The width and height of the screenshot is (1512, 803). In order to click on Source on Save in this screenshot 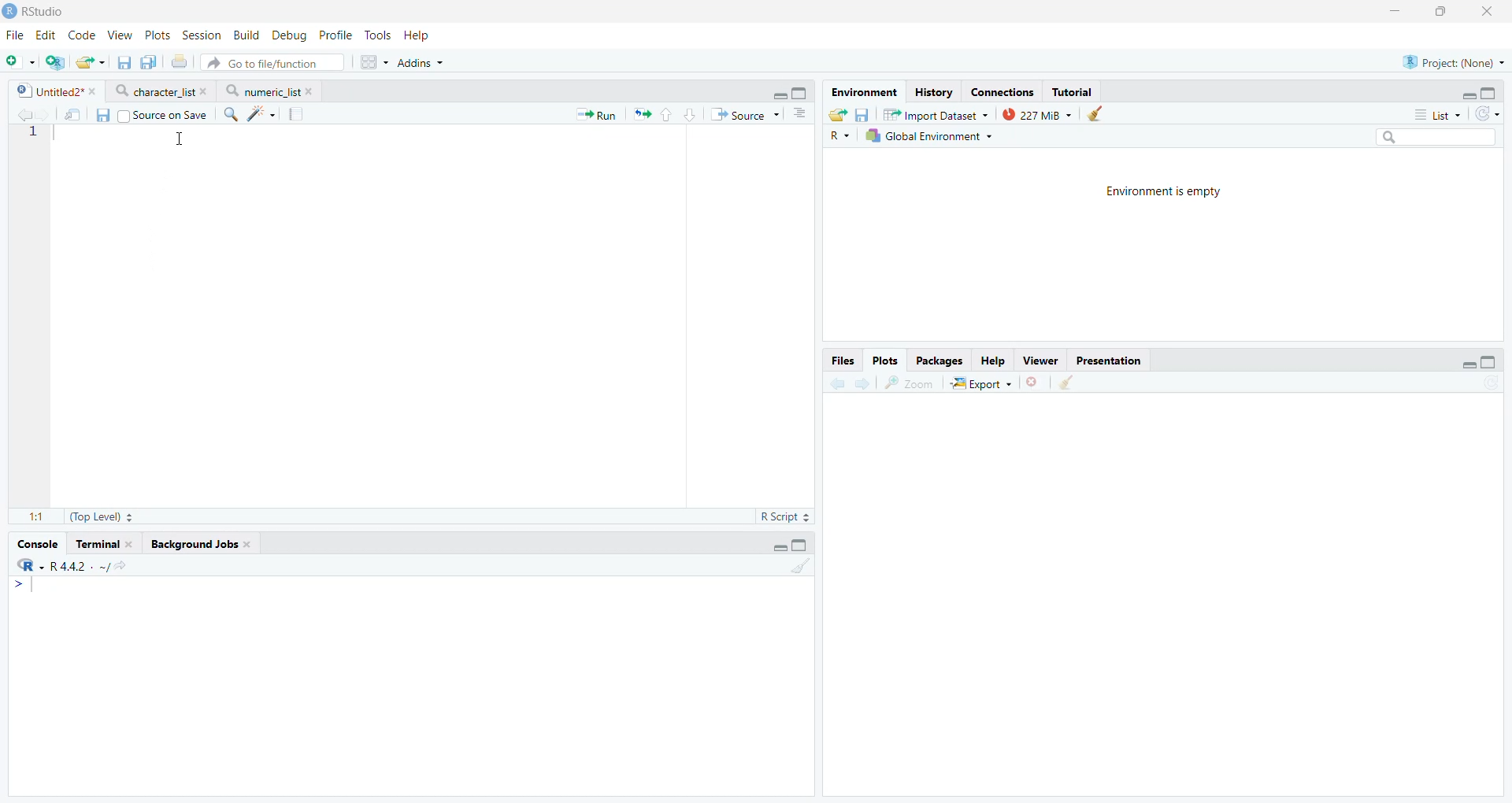, I will do `click(162, 115)`.